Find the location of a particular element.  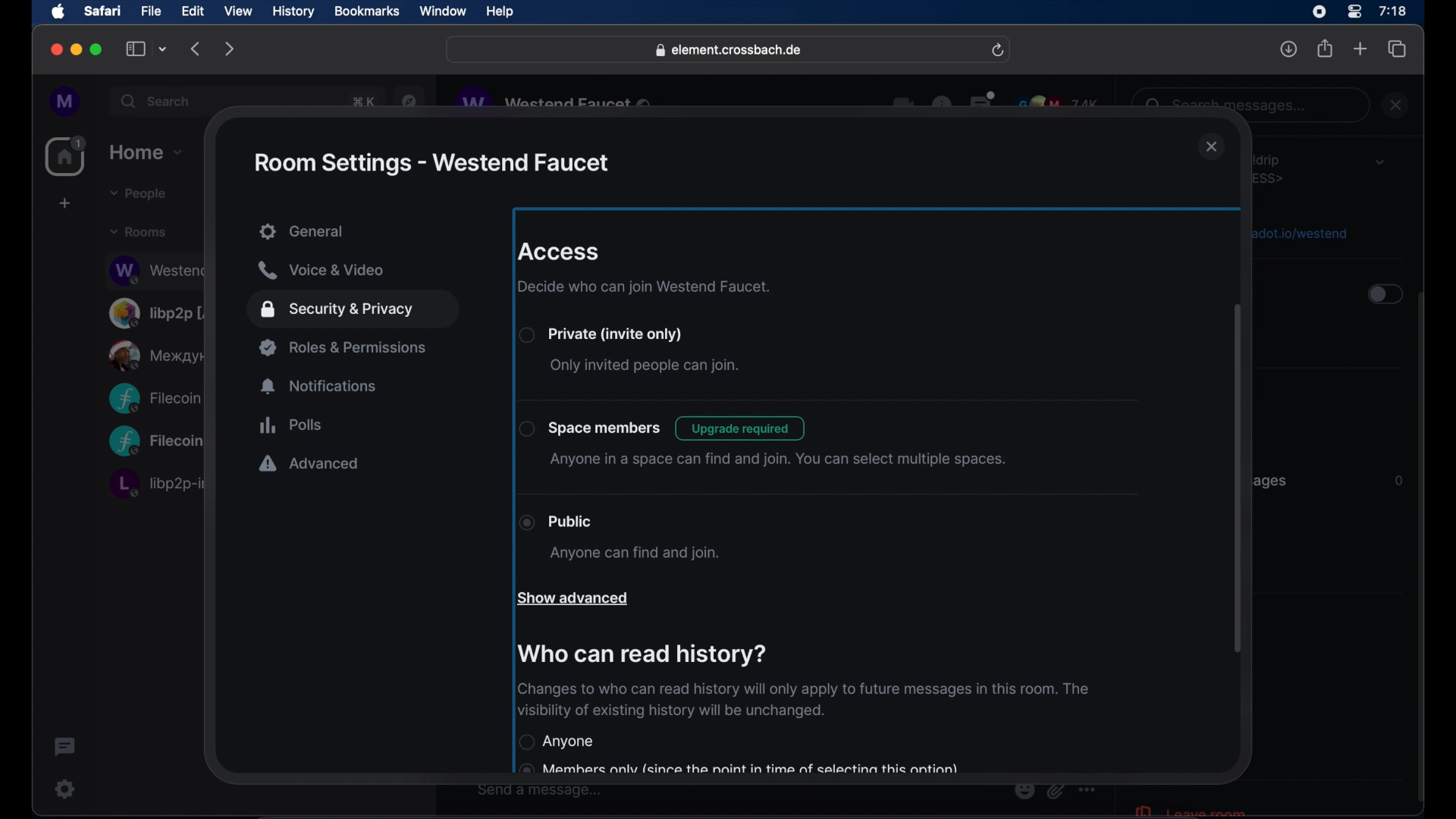

obscure is located at coordinates (1298, 232).